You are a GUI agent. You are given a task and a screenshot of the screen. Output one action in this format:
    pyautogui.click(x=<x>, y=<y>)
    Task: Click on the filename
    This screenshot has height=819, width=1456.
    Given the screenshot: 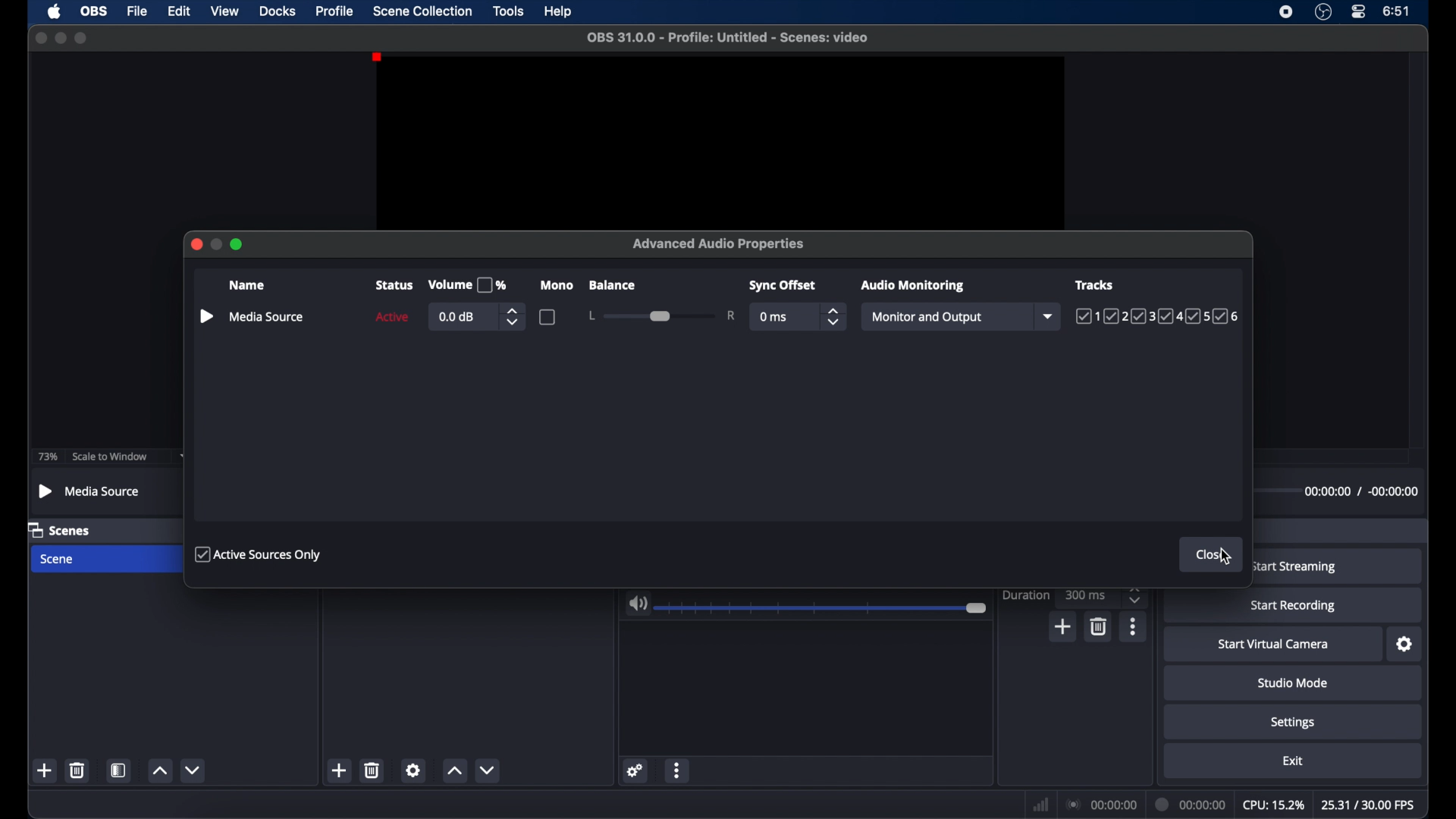 What is the action you would take?
    pyautogui.click(x=729, y=38)
    